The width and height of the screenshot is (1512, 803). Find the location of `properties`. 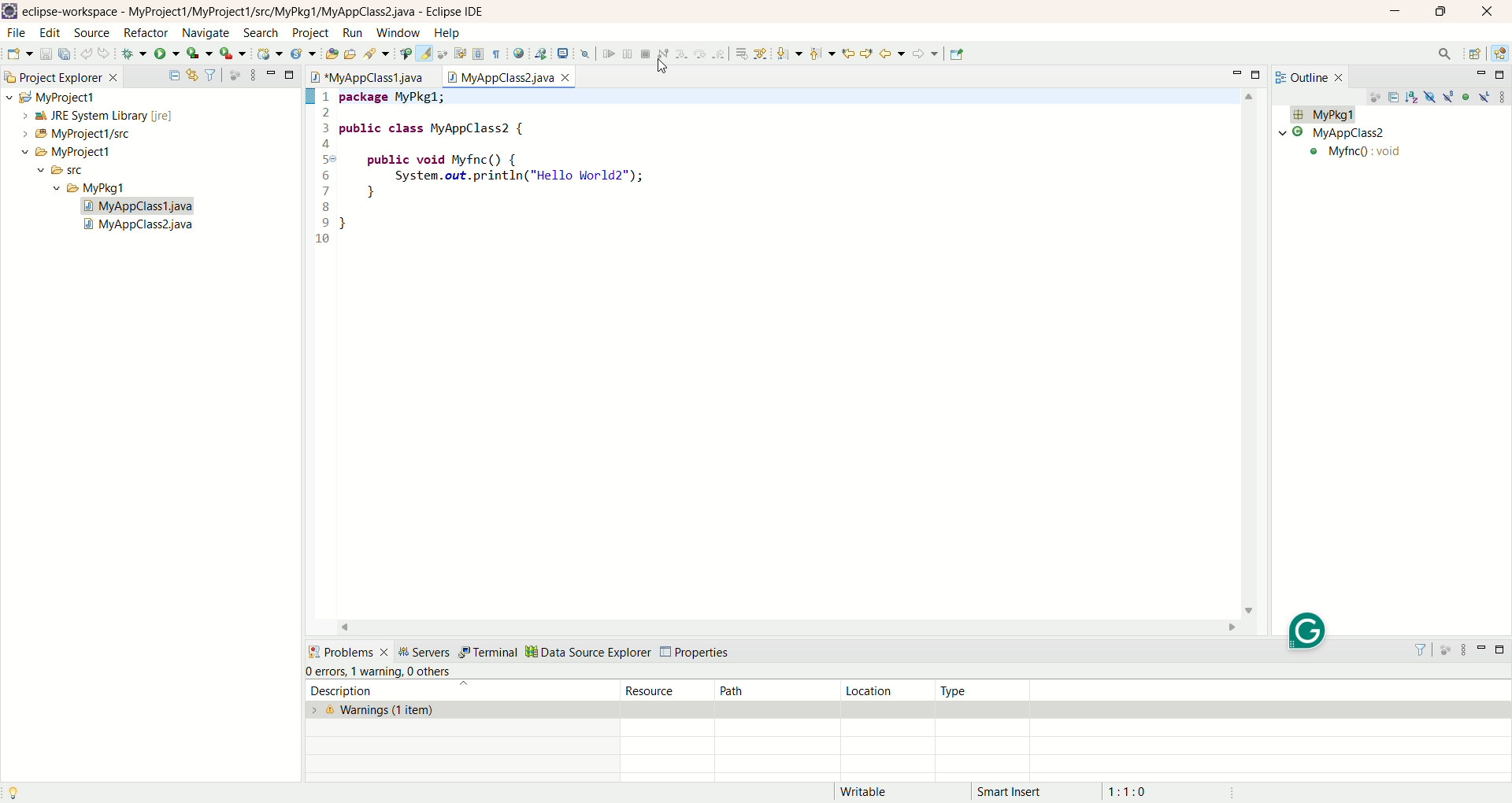

properties is located at coordinates (698, 653).